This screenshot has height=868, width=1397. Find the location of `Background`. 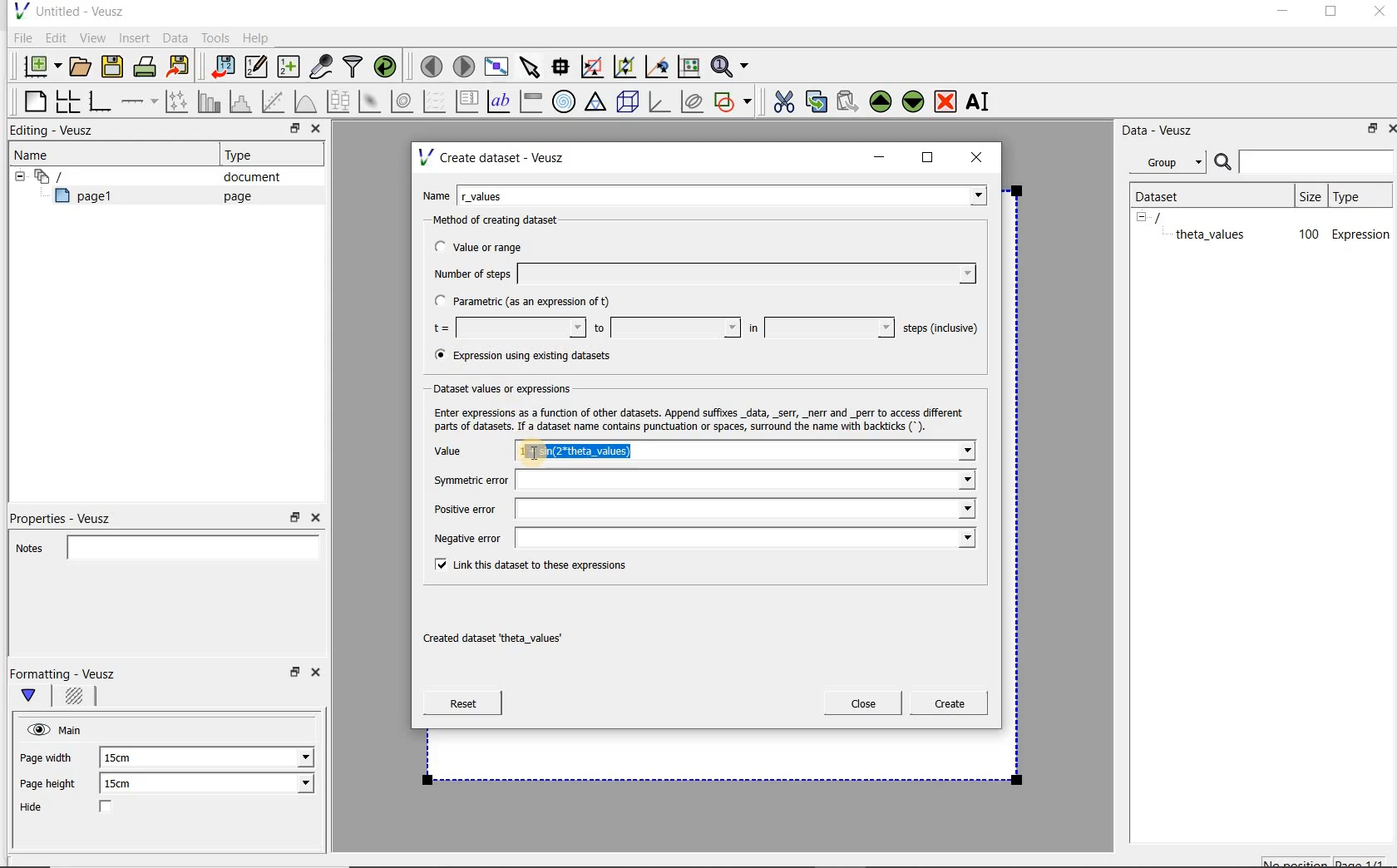

Background is located at coordinates (77, 698).